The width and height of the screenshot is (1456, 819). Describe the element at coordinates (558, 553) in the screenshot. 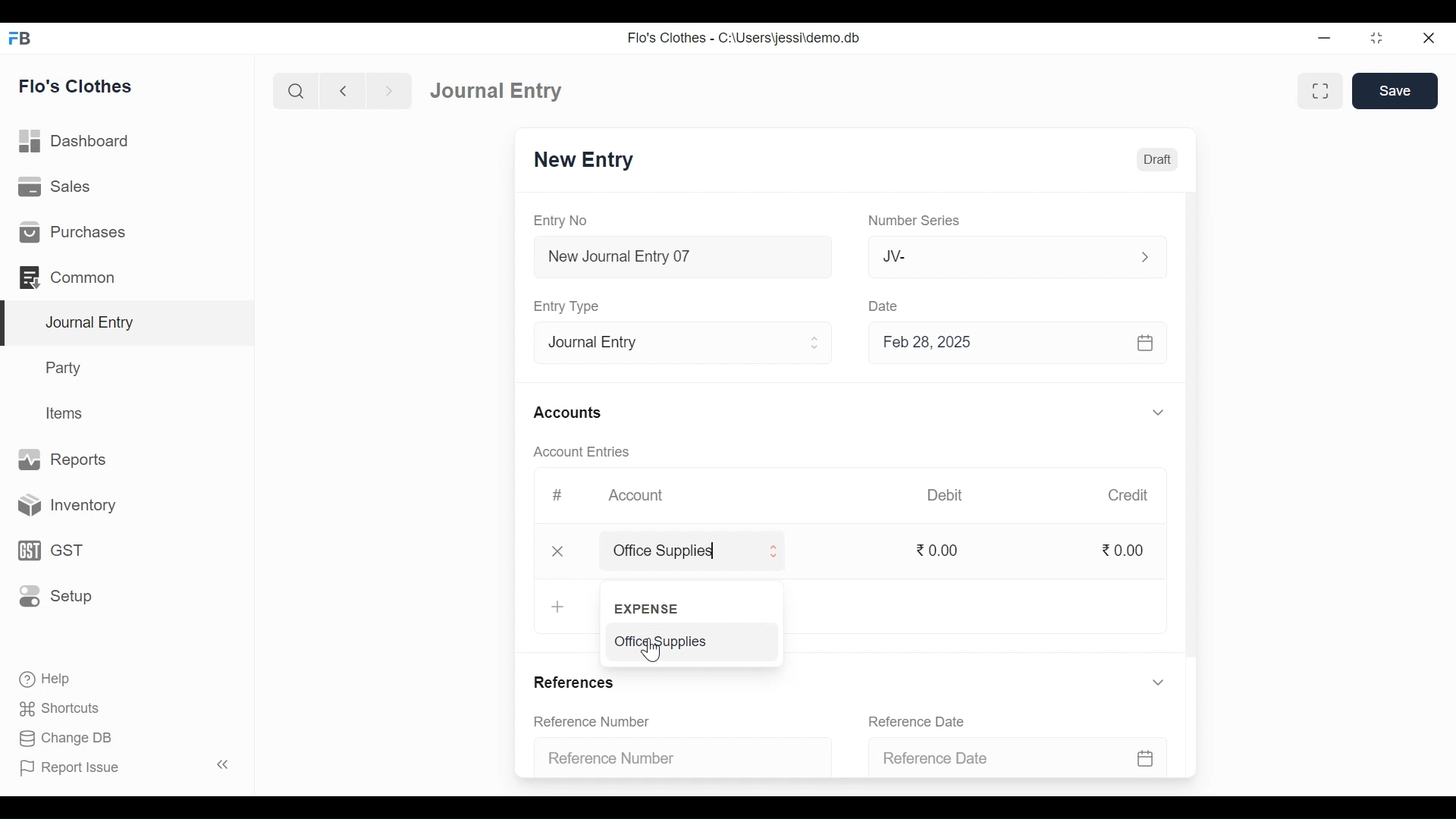

I see `Close` at that location.